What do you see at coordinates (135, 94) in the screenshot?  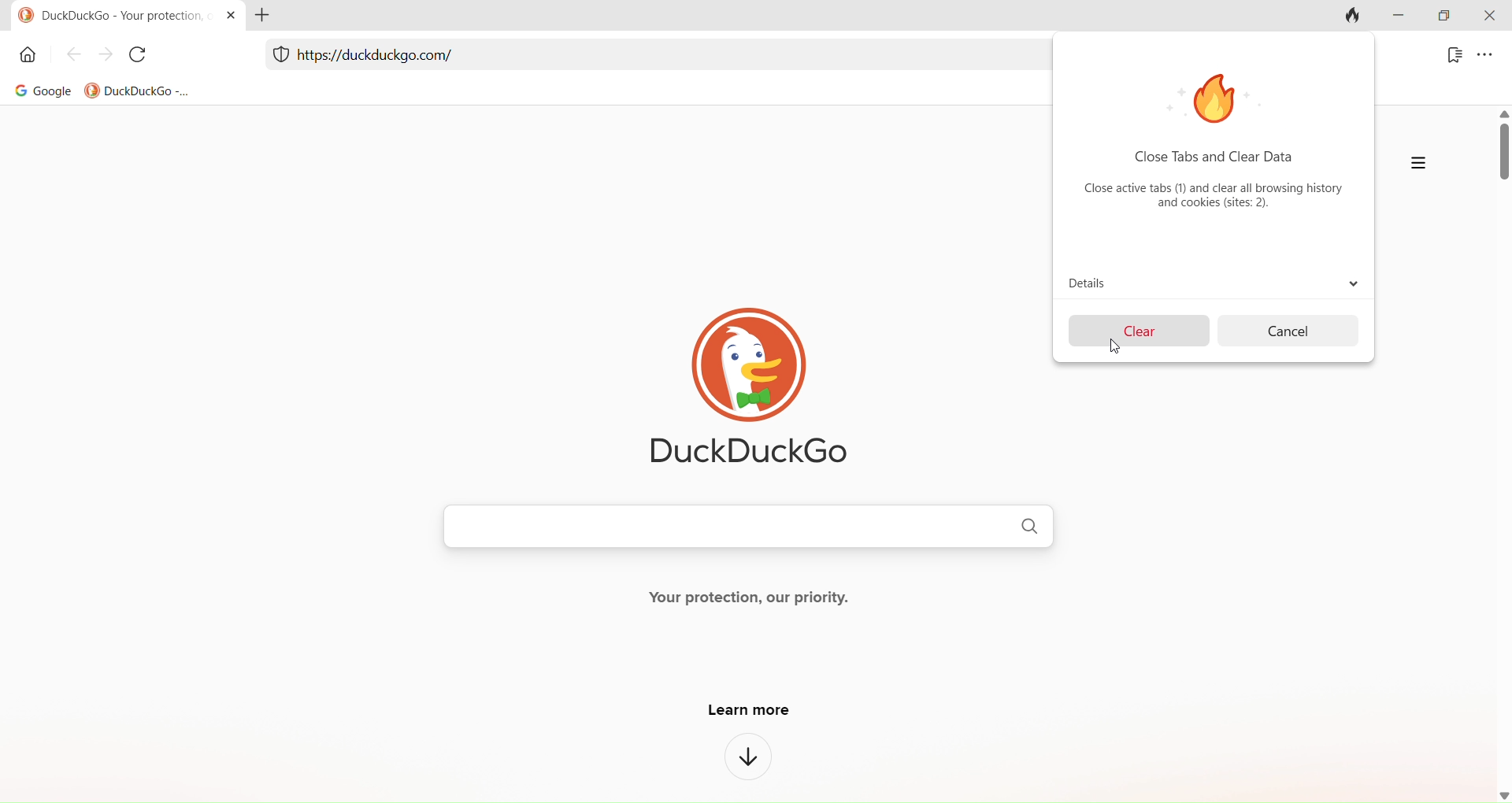 I see `DuckDuckGo` at bounding box center [135, 94].